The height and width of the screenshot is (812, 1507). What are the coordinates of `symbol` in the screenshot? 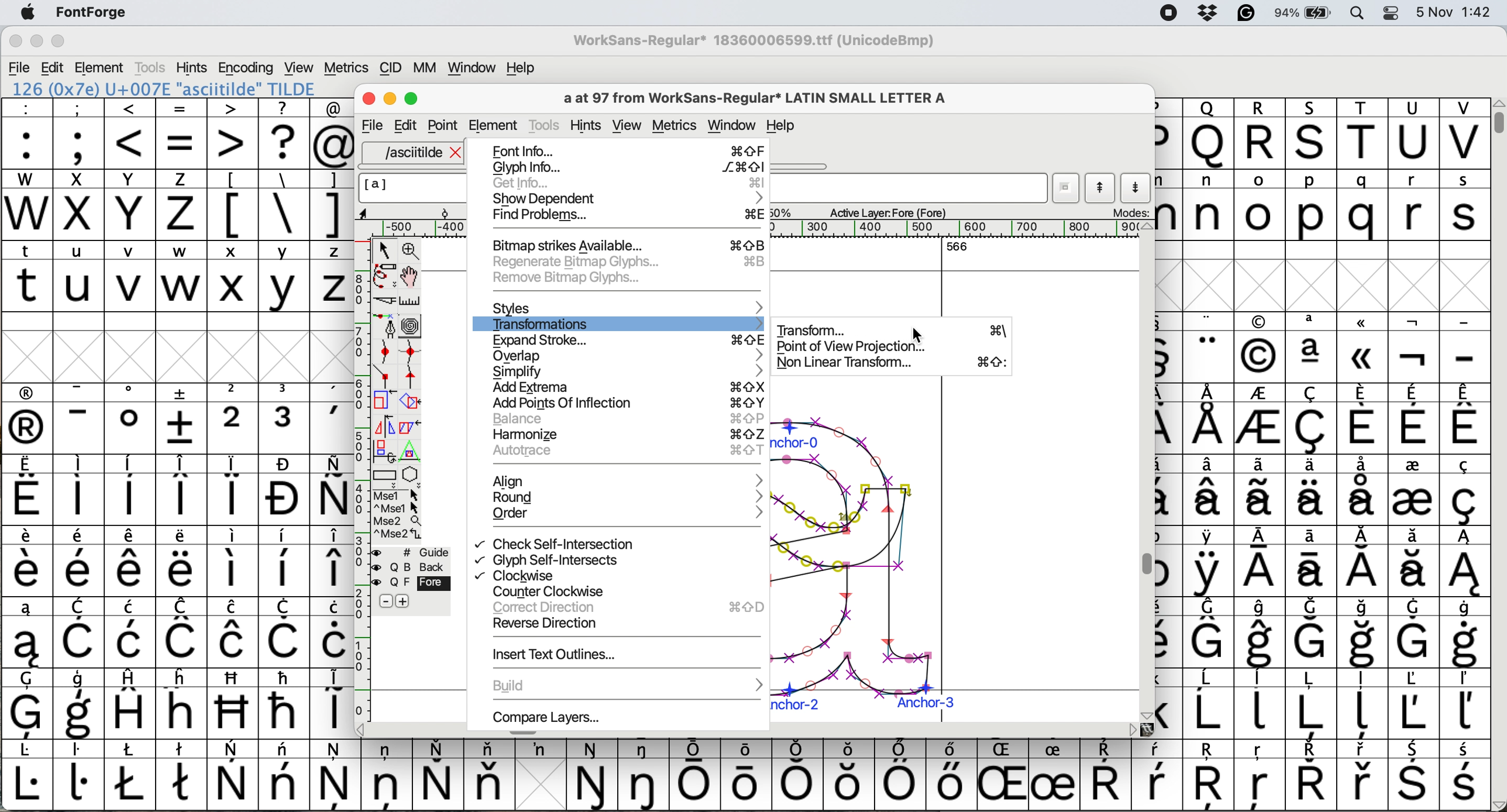 It's located at (489, 774).